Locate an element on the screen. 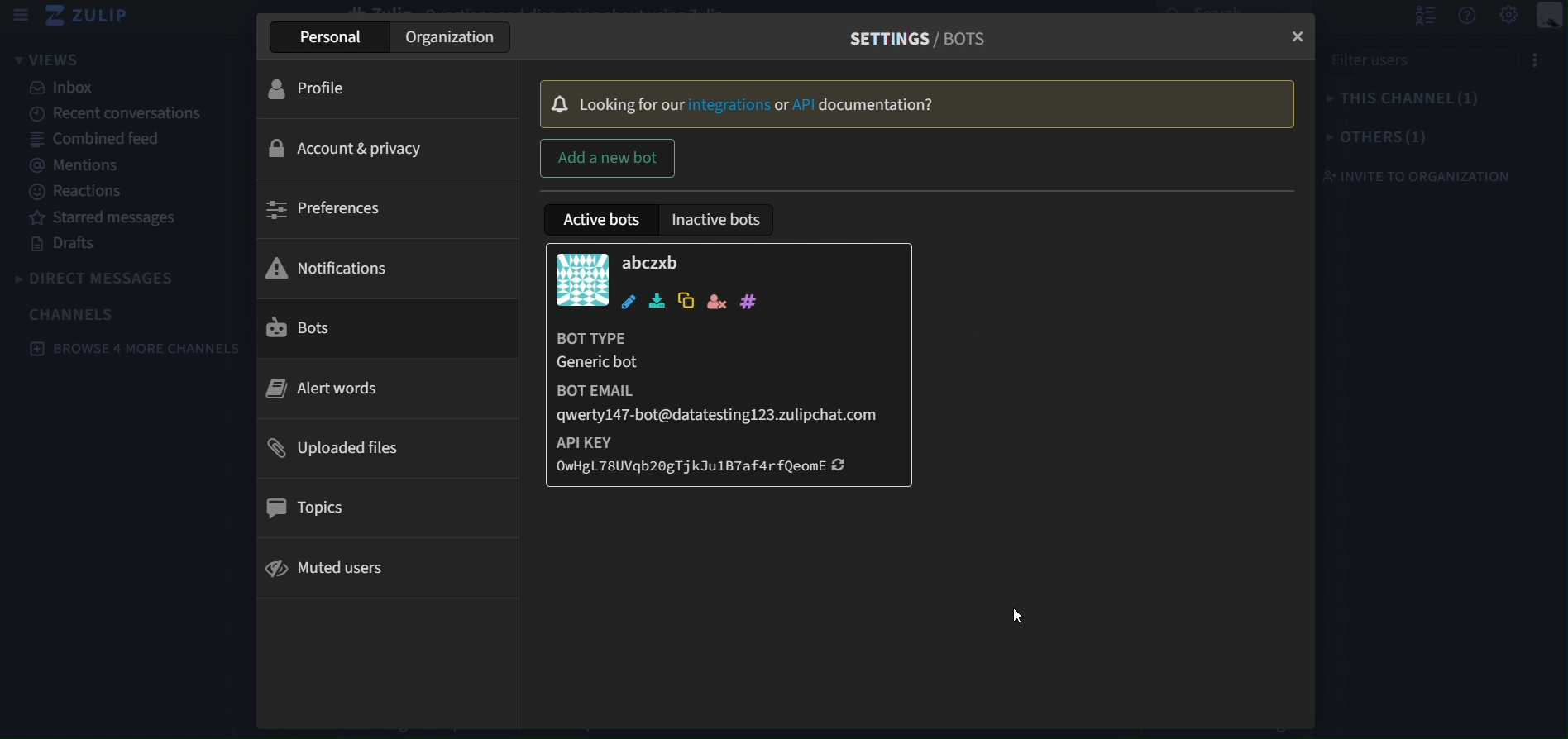 This screenshot has width=1568, height=739. muted users is located at coordinates (336, 570).